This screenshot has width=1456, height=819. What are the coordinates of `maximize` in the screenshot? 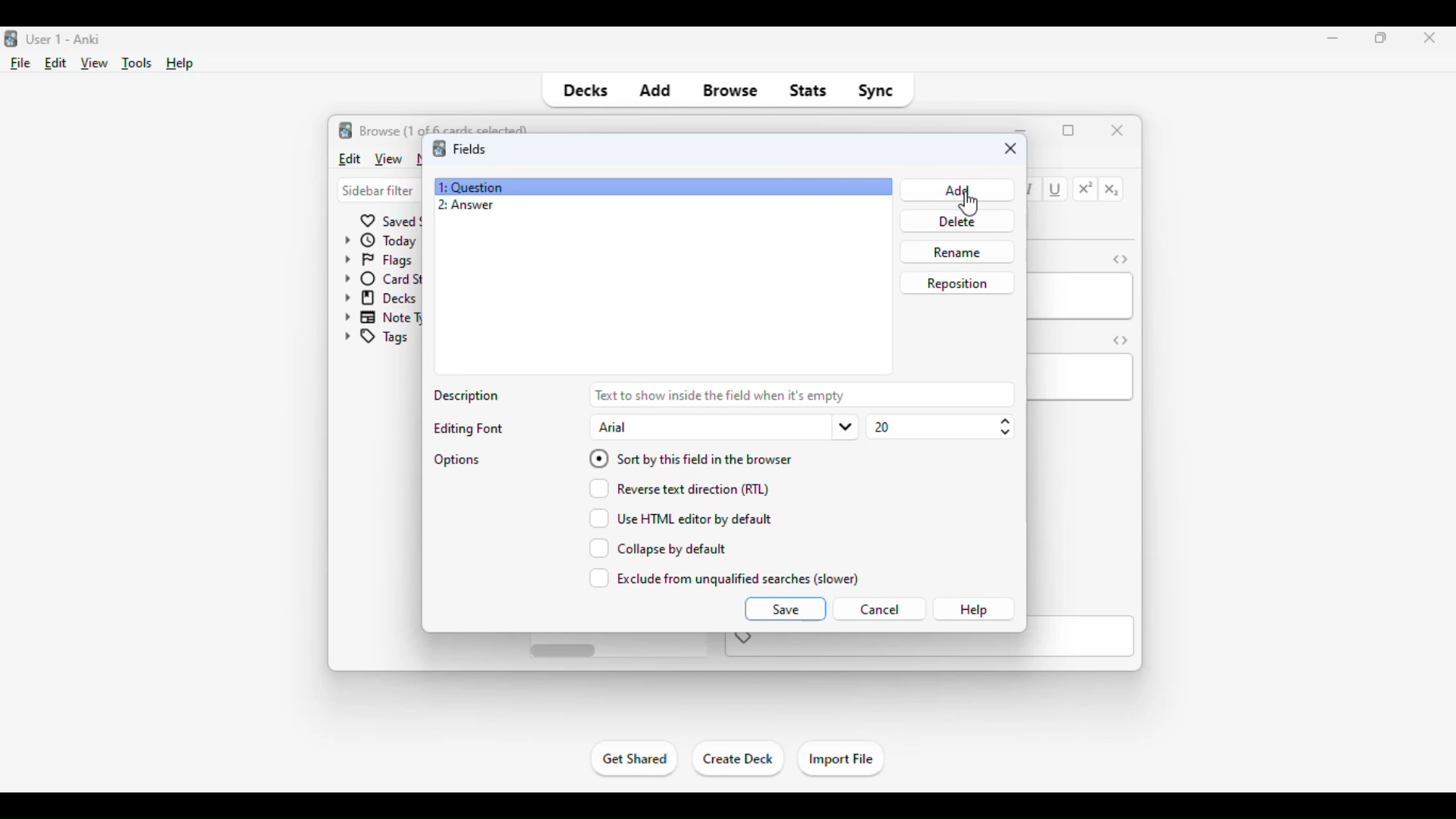 It's located at (1382, 37).